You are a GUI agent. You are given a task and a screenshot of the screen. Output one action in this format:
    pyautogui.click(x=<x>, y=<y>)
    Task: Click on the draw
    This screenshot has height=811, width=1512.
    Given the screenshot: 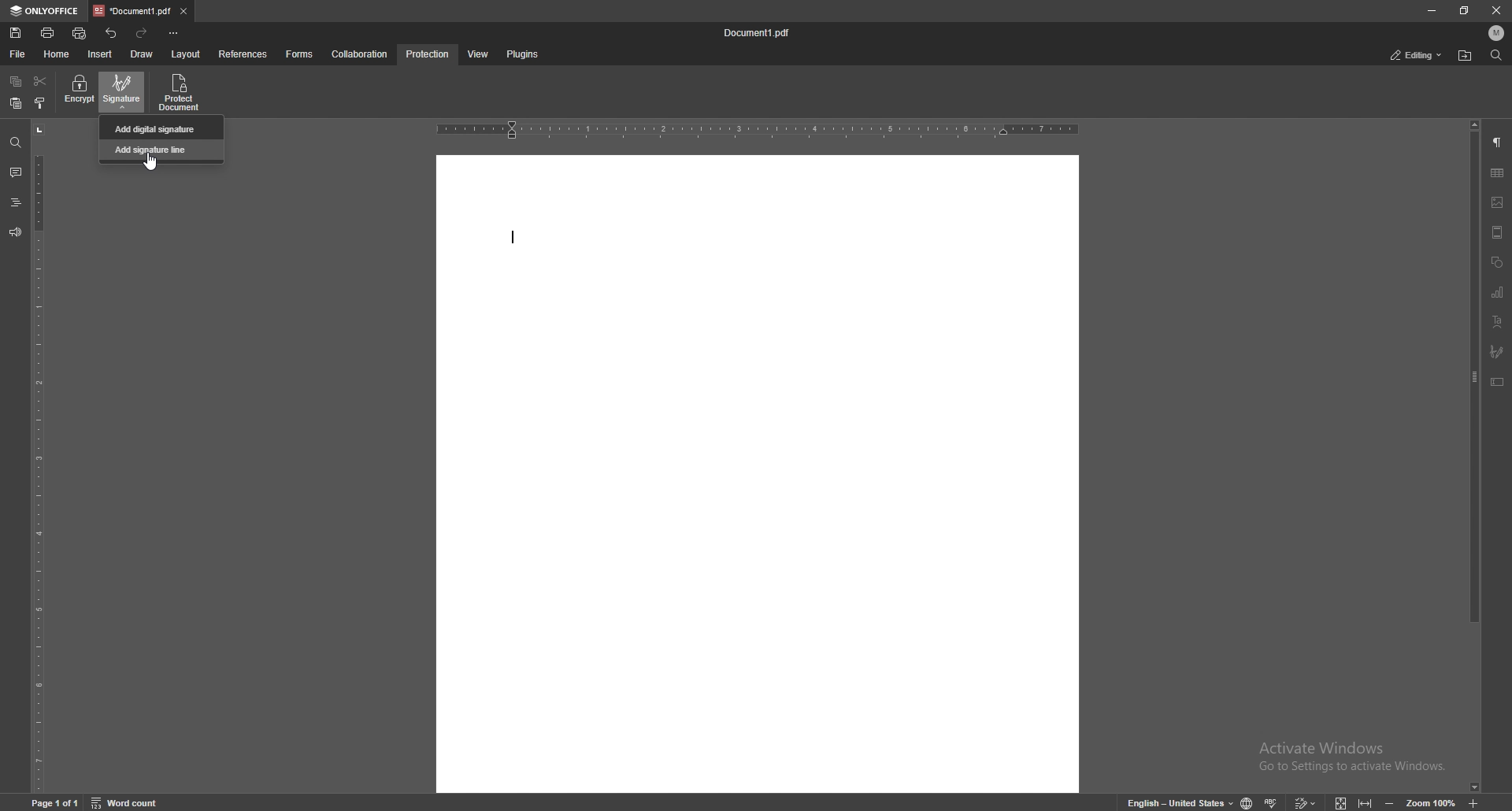 What is the action you would take?
    pyautogui.click(x=142, y=54)
    